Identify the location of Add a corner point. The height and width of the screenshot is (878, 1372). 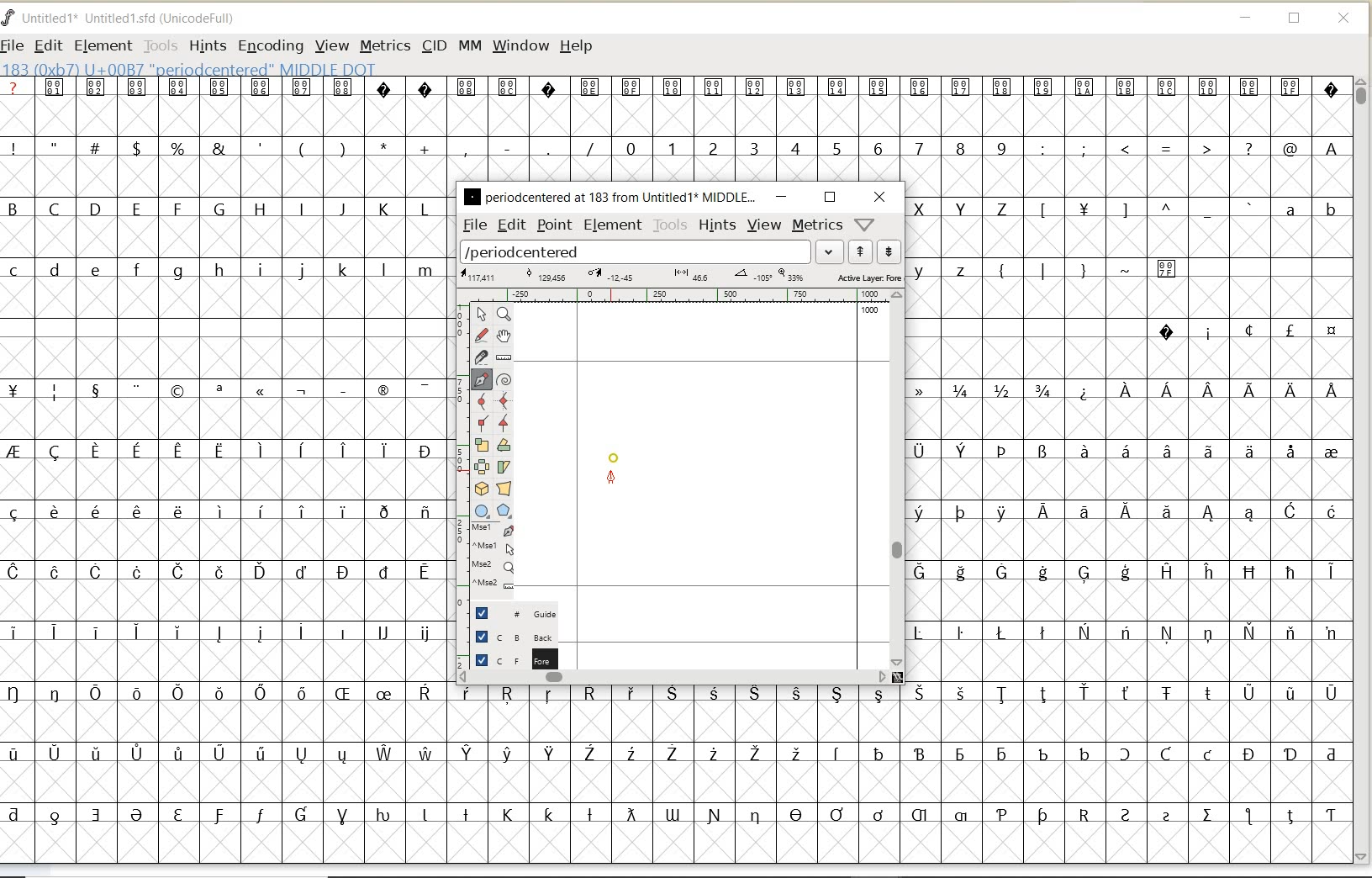
(481, 422).